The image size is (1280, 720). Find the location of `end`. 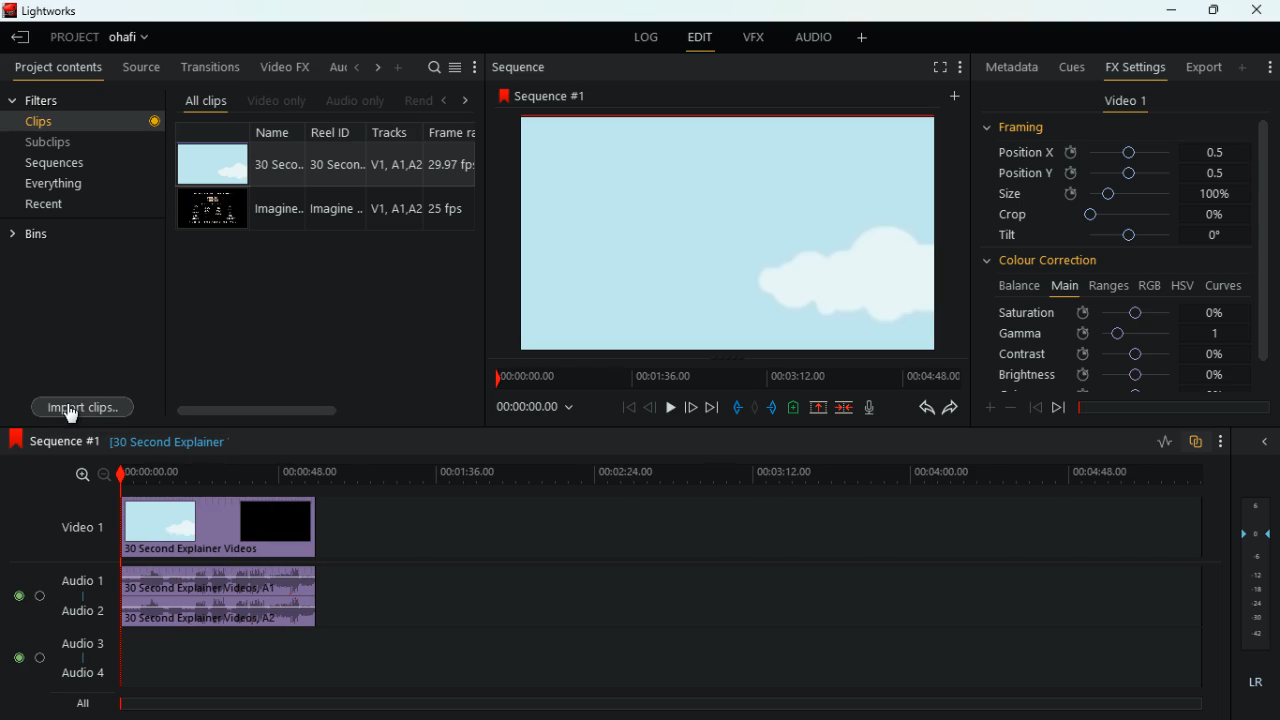

end is located at coordinates (714, 407).